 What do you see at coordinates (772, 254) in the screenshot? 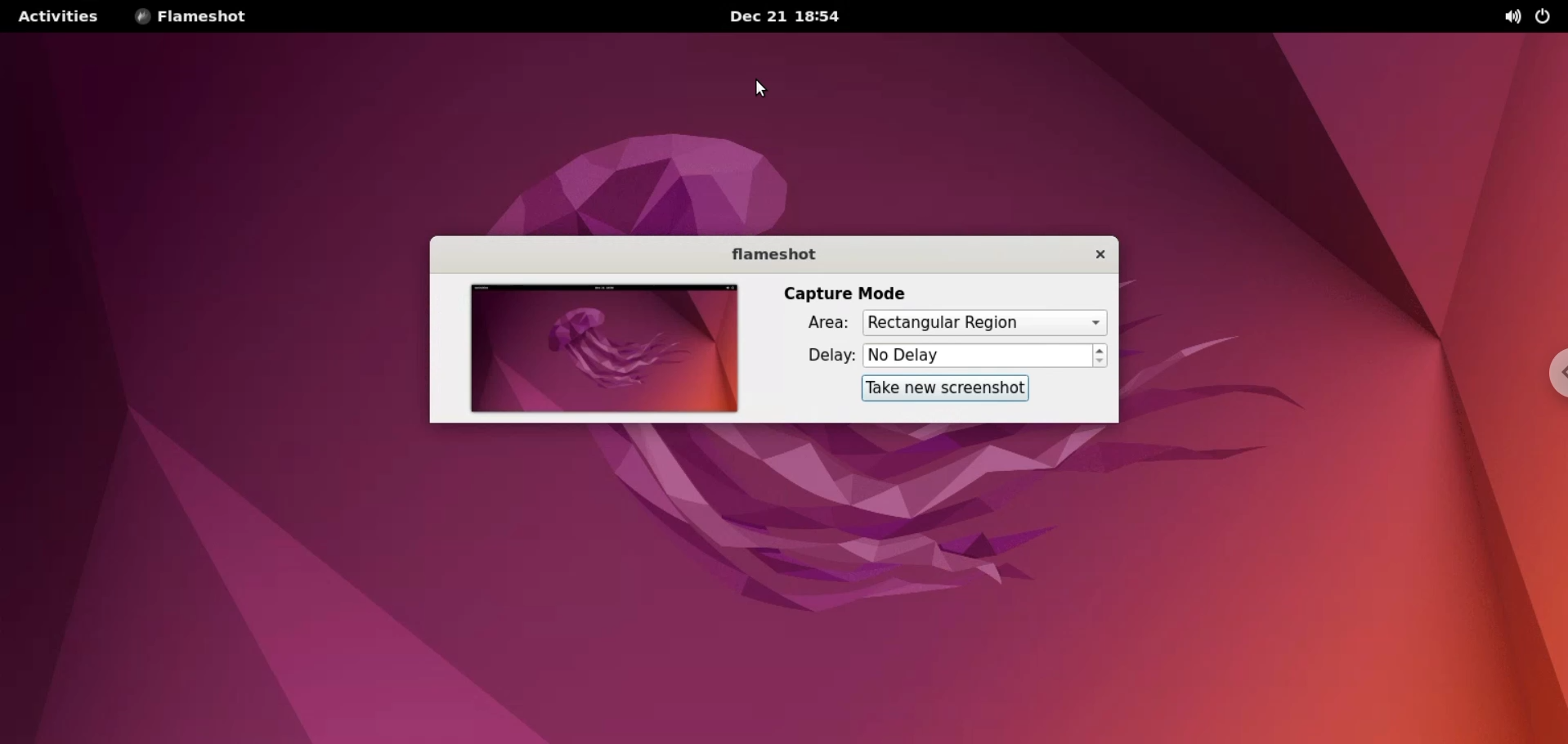
I see `flameshot ` at bounding box center [772, 254].